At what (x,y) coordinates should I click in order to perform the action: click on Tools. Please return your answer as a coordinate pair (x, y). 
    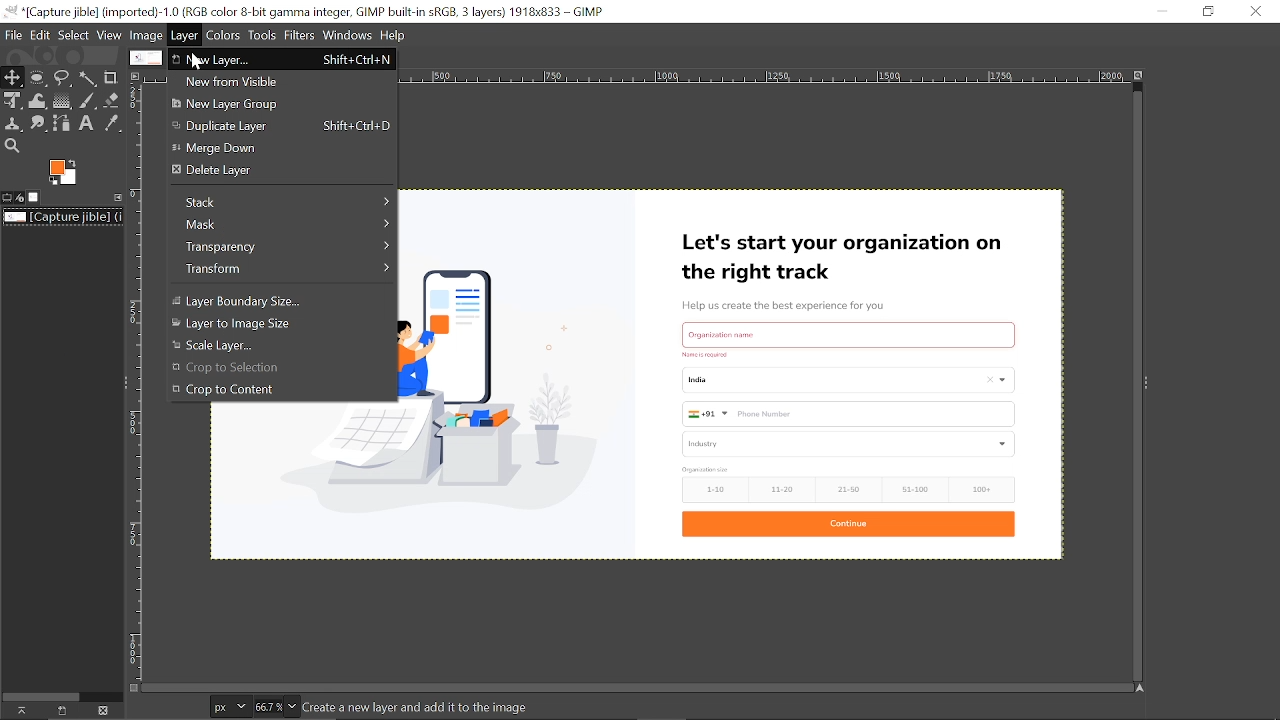
    Looking at the image, I should click on (261, 35).